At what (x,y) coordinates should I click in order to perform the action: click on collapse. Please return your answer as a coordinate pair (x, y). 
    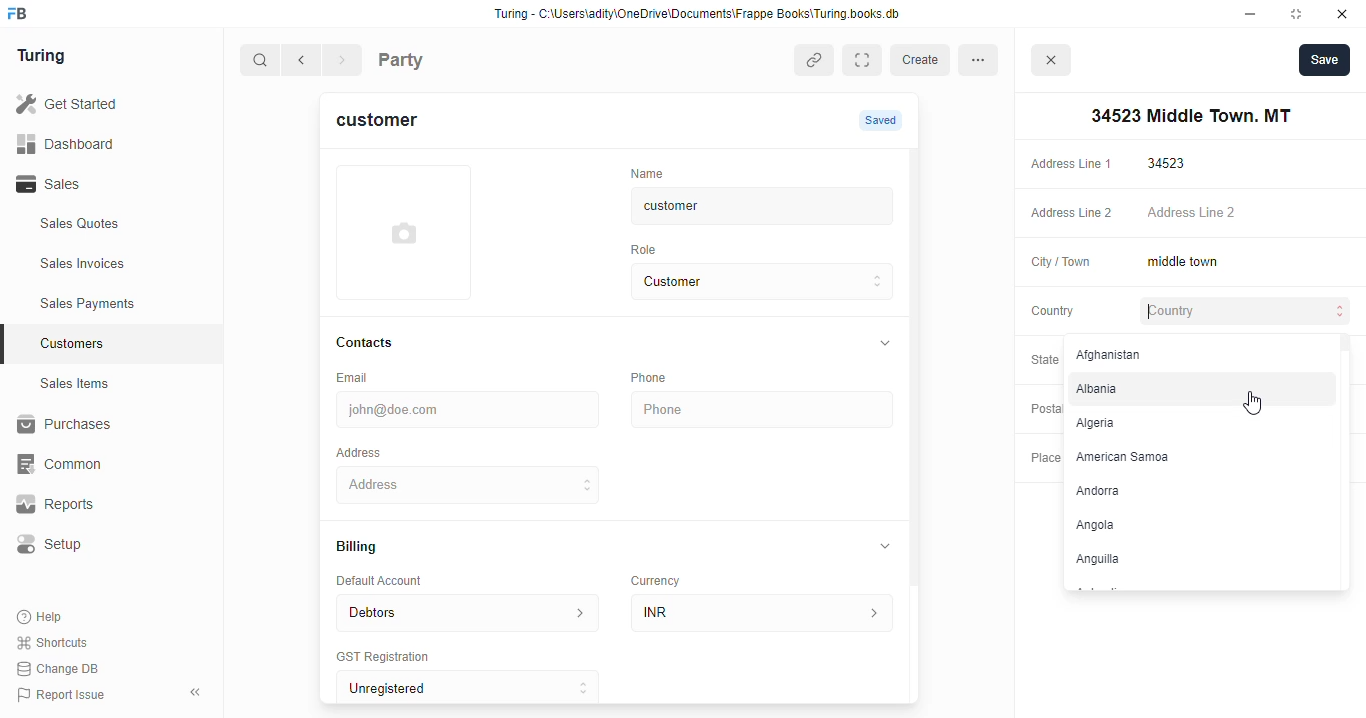
    Looking at the image, I should click on (883, 344).